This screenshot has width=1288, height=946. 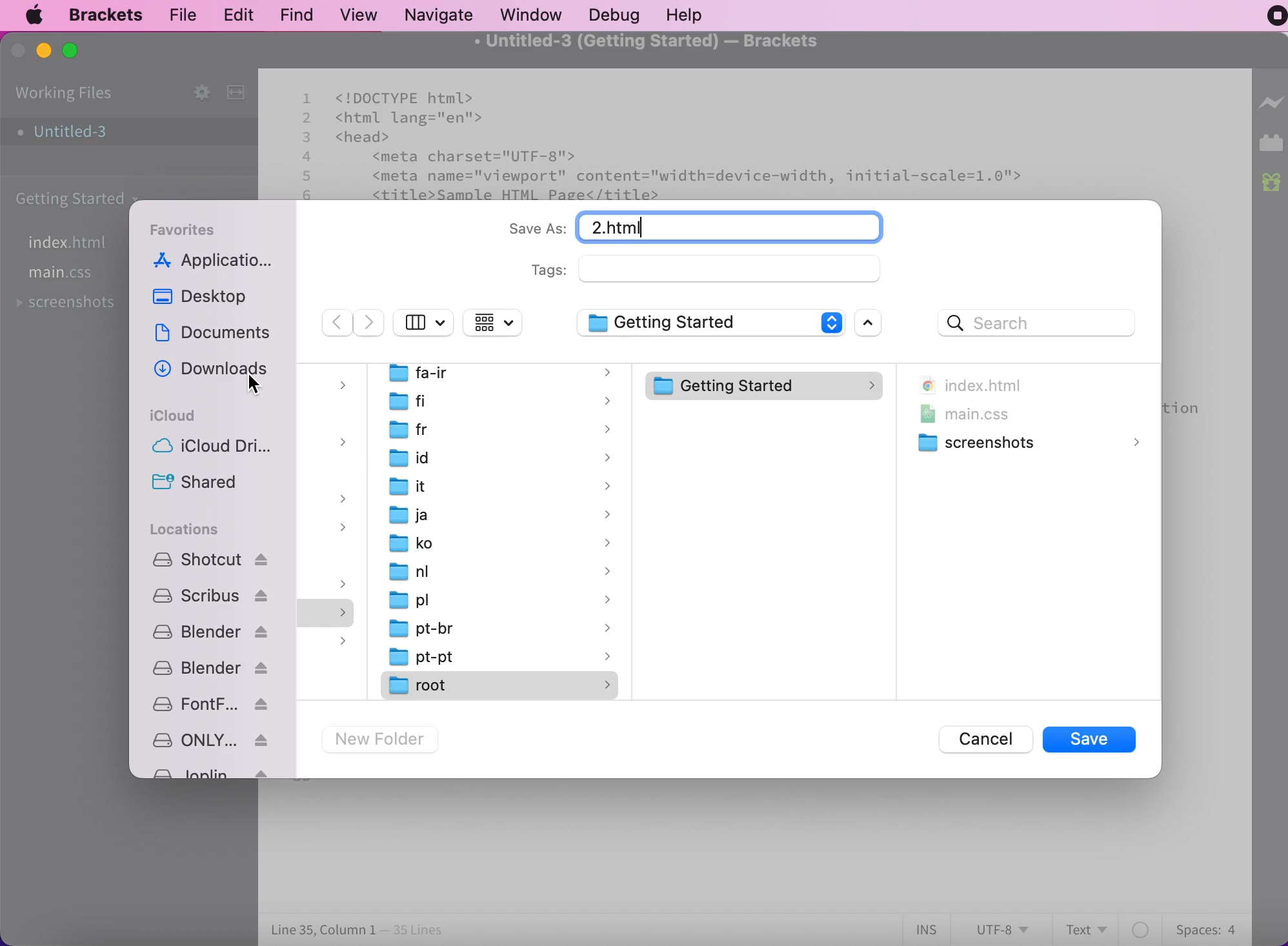 What do you see at coordinates (210, 771) in the screenshot?
I see `Joplin` at bounding box center [210, 771].